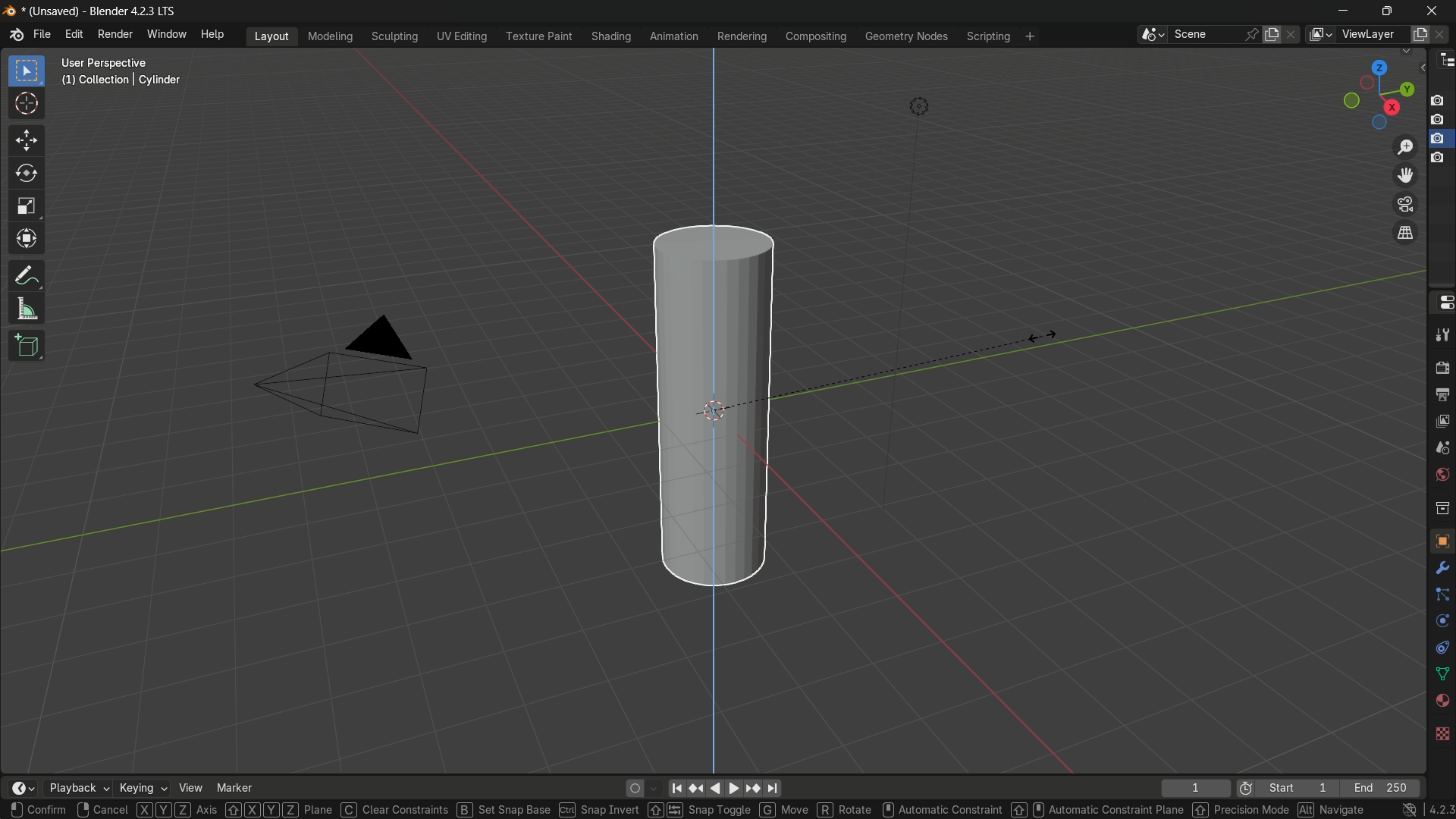 The height and width of the screenshot is (819, 1456). Describe the element at coordinates (1294, 36) in the screenshot. I see `delete scene` at that location.